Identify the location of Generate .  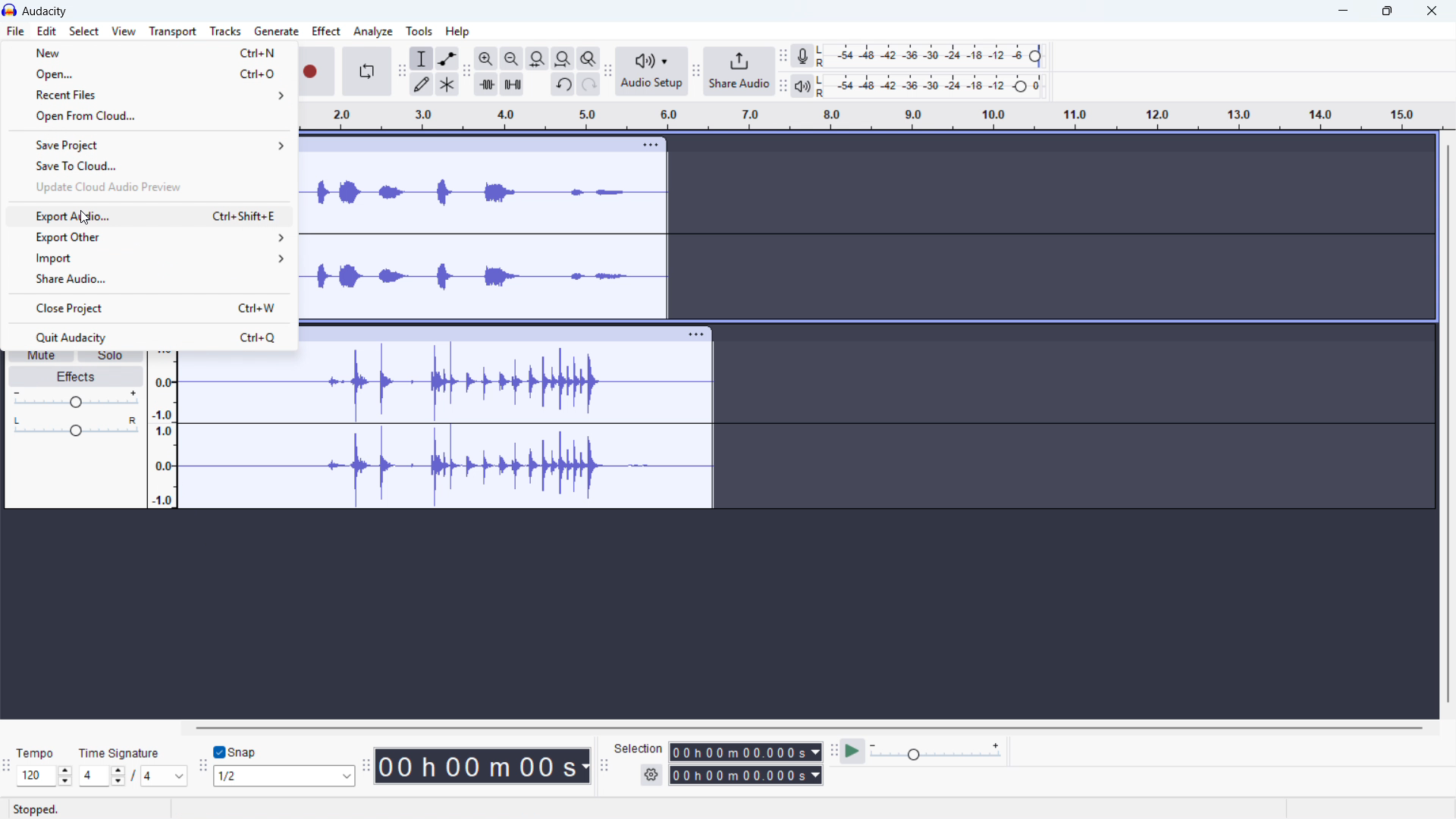
(277, 31).